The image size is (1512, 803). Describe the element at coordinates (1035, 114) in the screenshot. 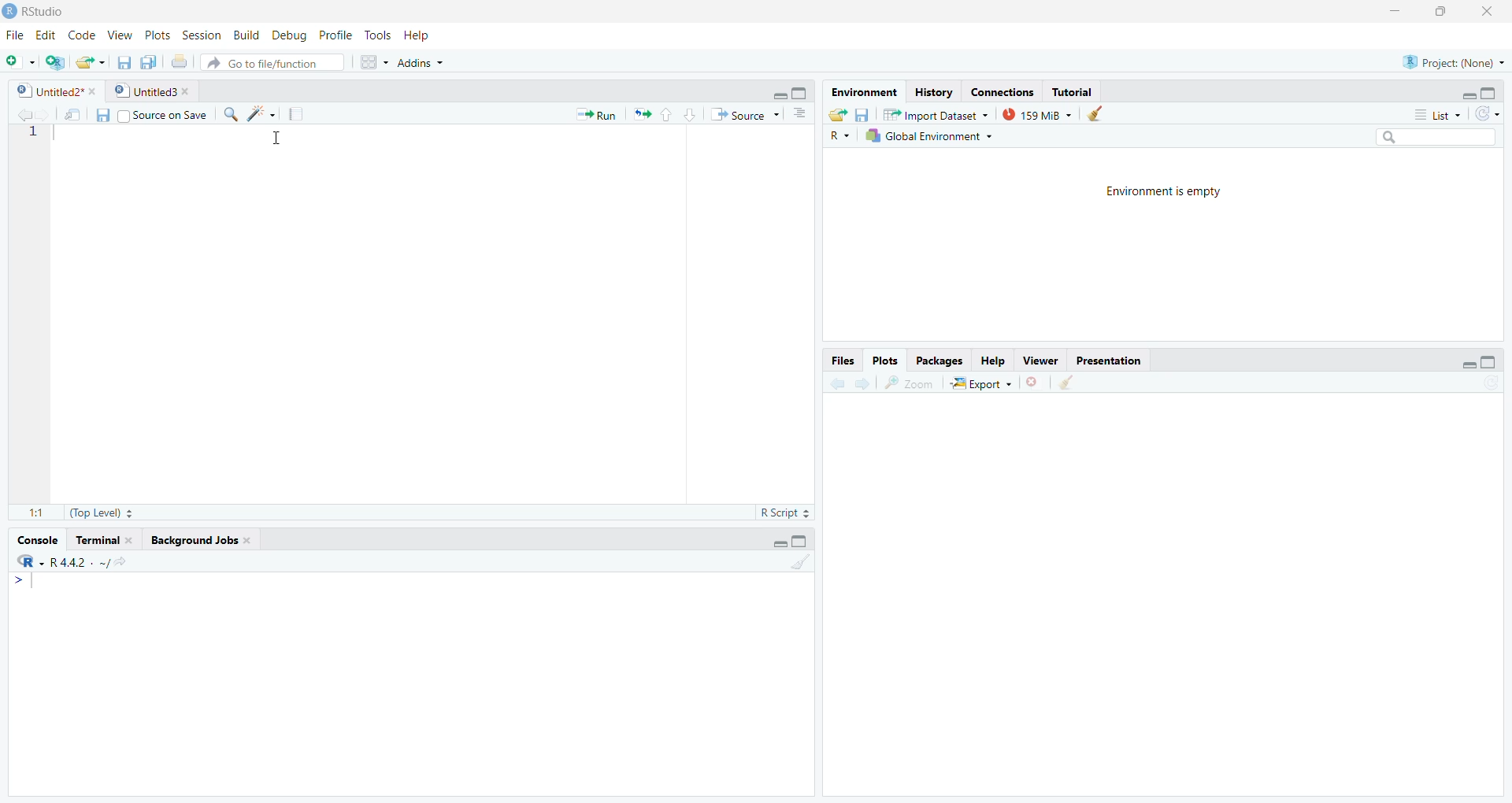

I see `159 MiB ` at that location.